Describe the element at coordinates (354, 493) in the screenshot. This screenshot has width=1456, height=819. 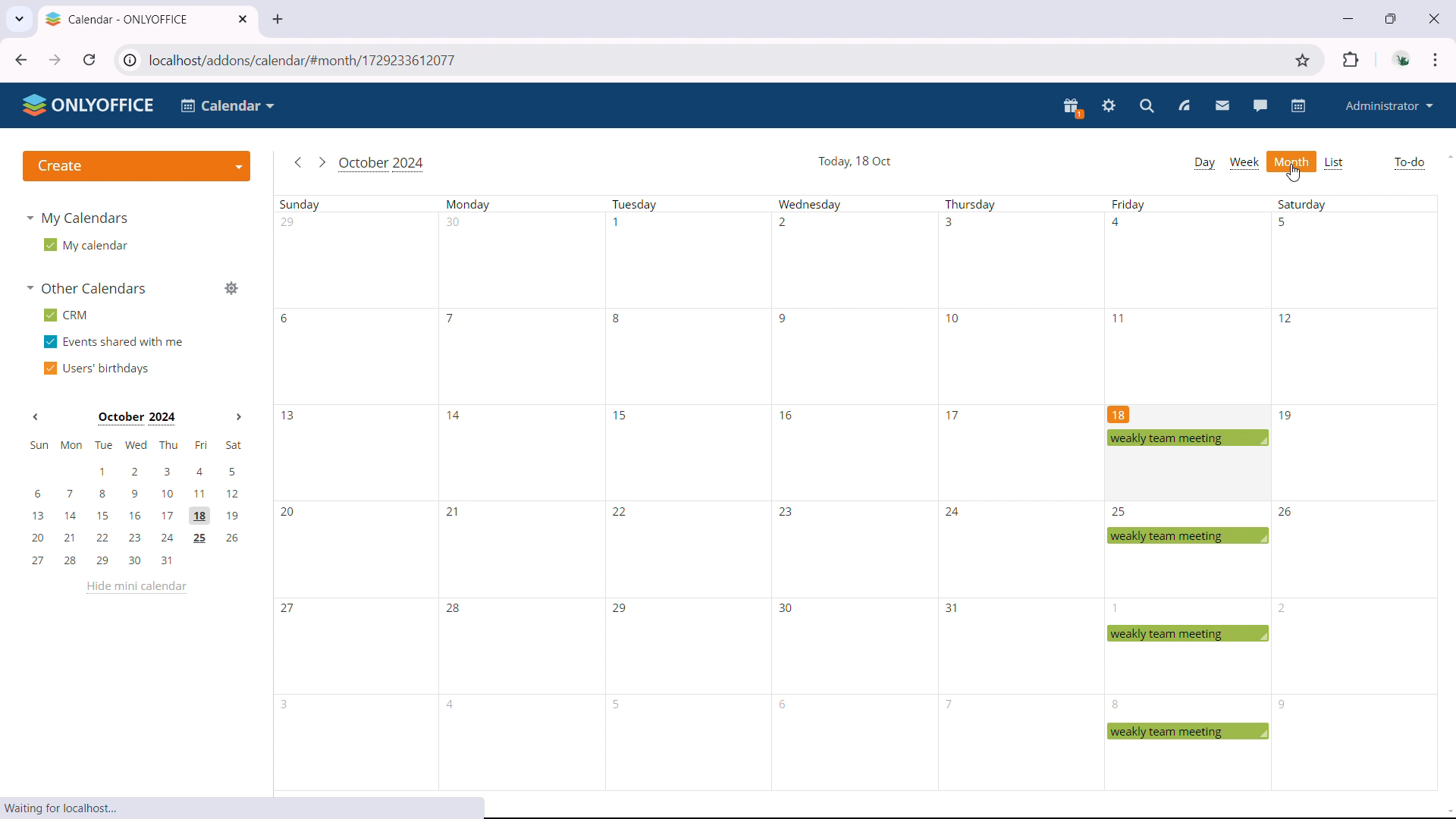
I see `Sunday` at that location.